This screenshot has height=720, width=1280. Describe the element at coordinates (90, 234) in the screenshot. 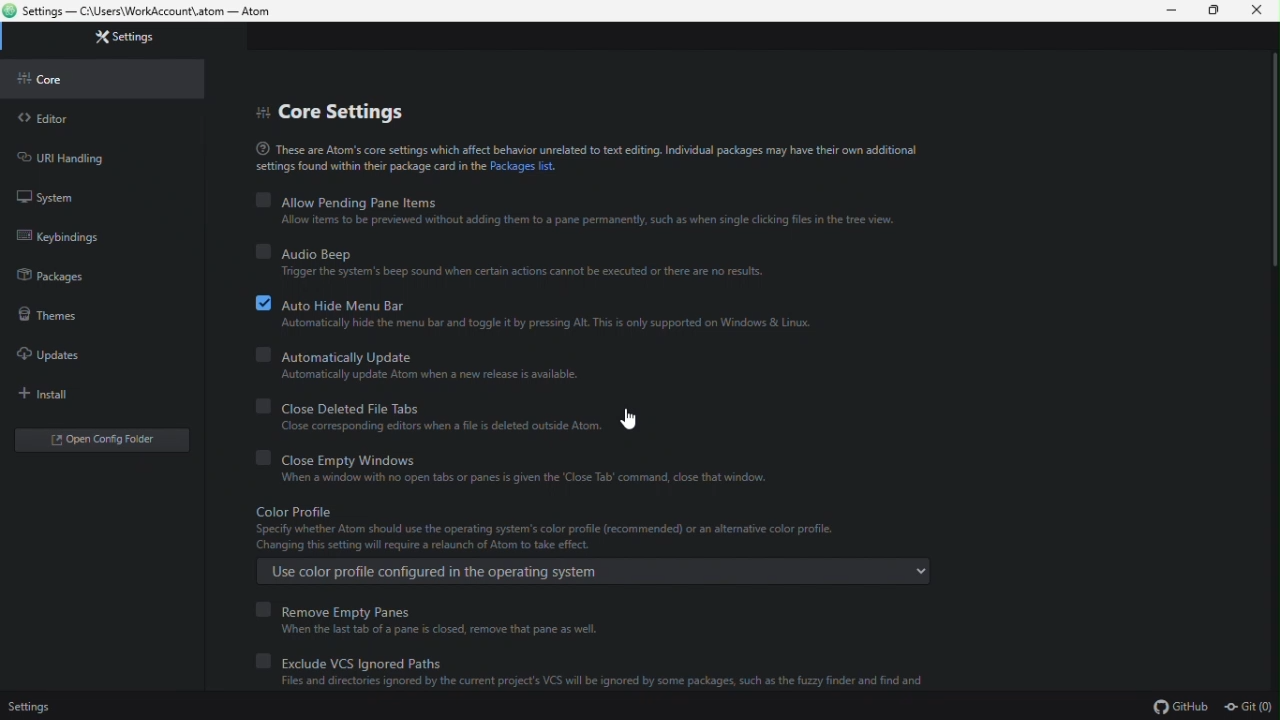

I see `key bindings` at that location.